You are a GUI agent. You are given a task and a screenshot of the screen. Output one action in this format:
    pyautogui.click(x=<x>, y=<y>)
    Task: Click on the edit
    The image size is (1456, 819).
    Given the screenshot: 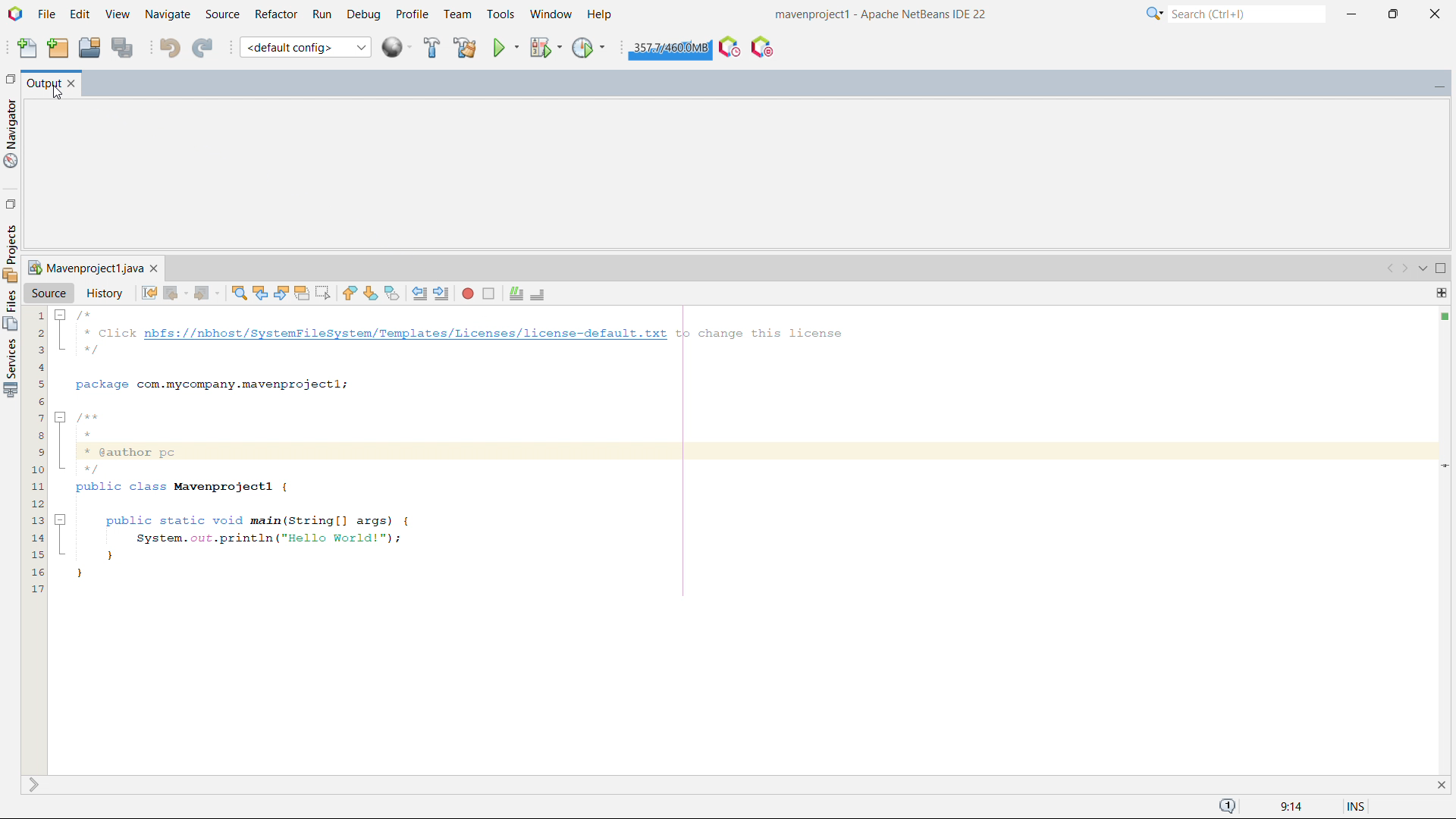 What is the action you would take?
    pyautogui.click(x=80, y=14)
    